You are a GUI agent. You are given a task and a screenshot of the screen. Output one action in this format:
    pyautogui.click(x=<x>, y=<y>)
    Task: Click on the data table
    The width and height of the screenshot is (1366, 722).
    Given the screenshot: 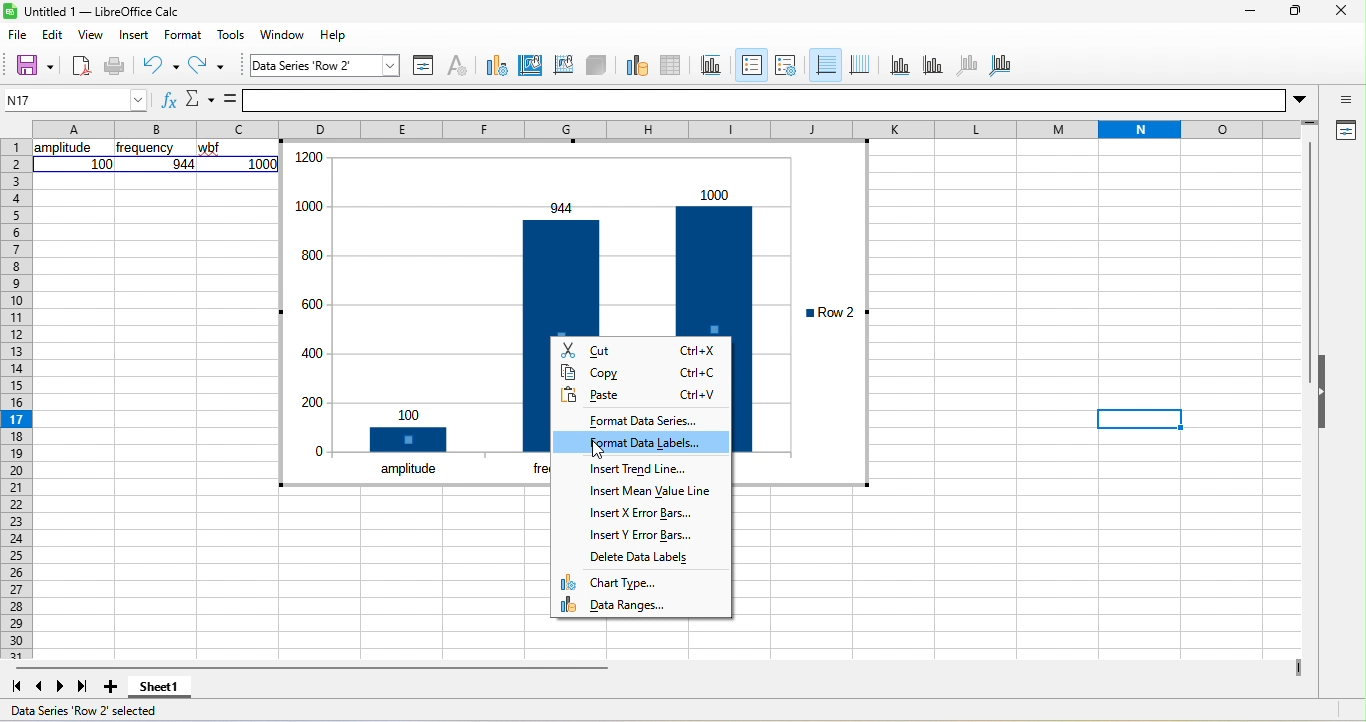 What is the action you would take?
    pyautogui.click(x=672, y=69)
    